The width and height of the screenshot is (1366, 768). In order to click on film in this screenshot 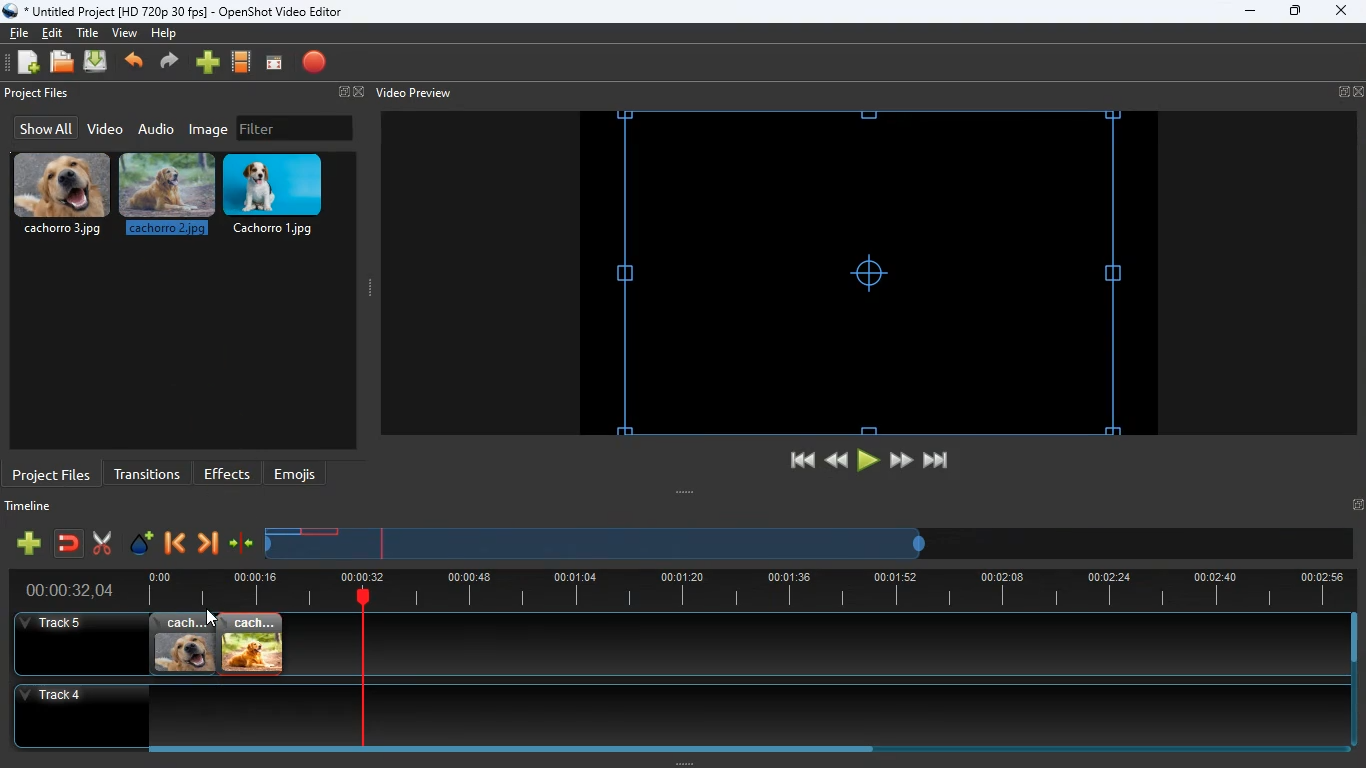, I will do `click(242, 63)`.